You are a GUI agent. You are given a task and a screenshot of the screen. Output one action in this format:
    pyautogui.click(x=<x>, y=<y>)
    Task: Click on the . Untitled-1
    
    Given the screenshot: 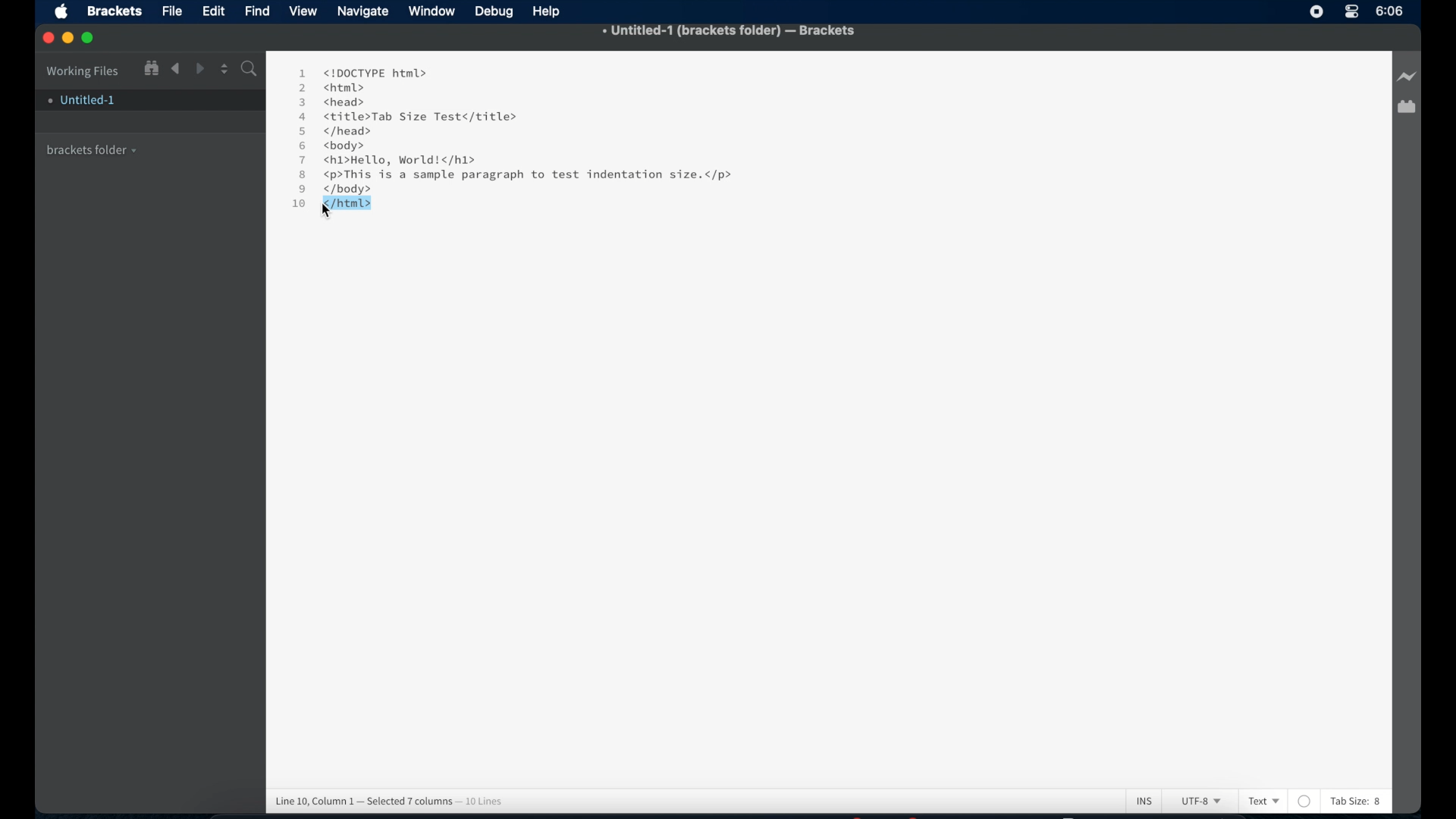 What is the action you would take?
    pyautogui.click(x=80, y=100)
    